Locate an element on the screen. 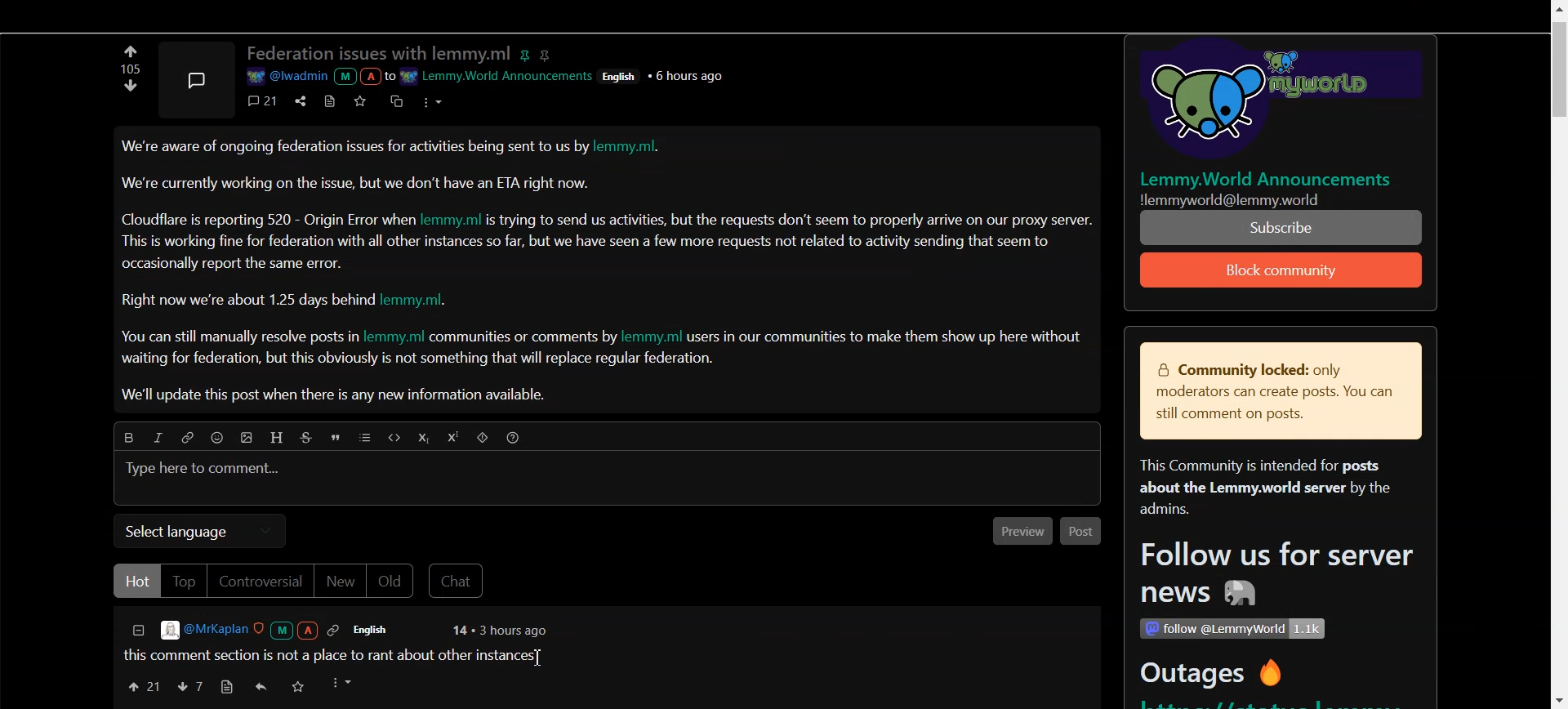 The height and width of the screenshot is (709, 1568). wr Lemmy.World Announcement: is located at coordinates (499, 74).